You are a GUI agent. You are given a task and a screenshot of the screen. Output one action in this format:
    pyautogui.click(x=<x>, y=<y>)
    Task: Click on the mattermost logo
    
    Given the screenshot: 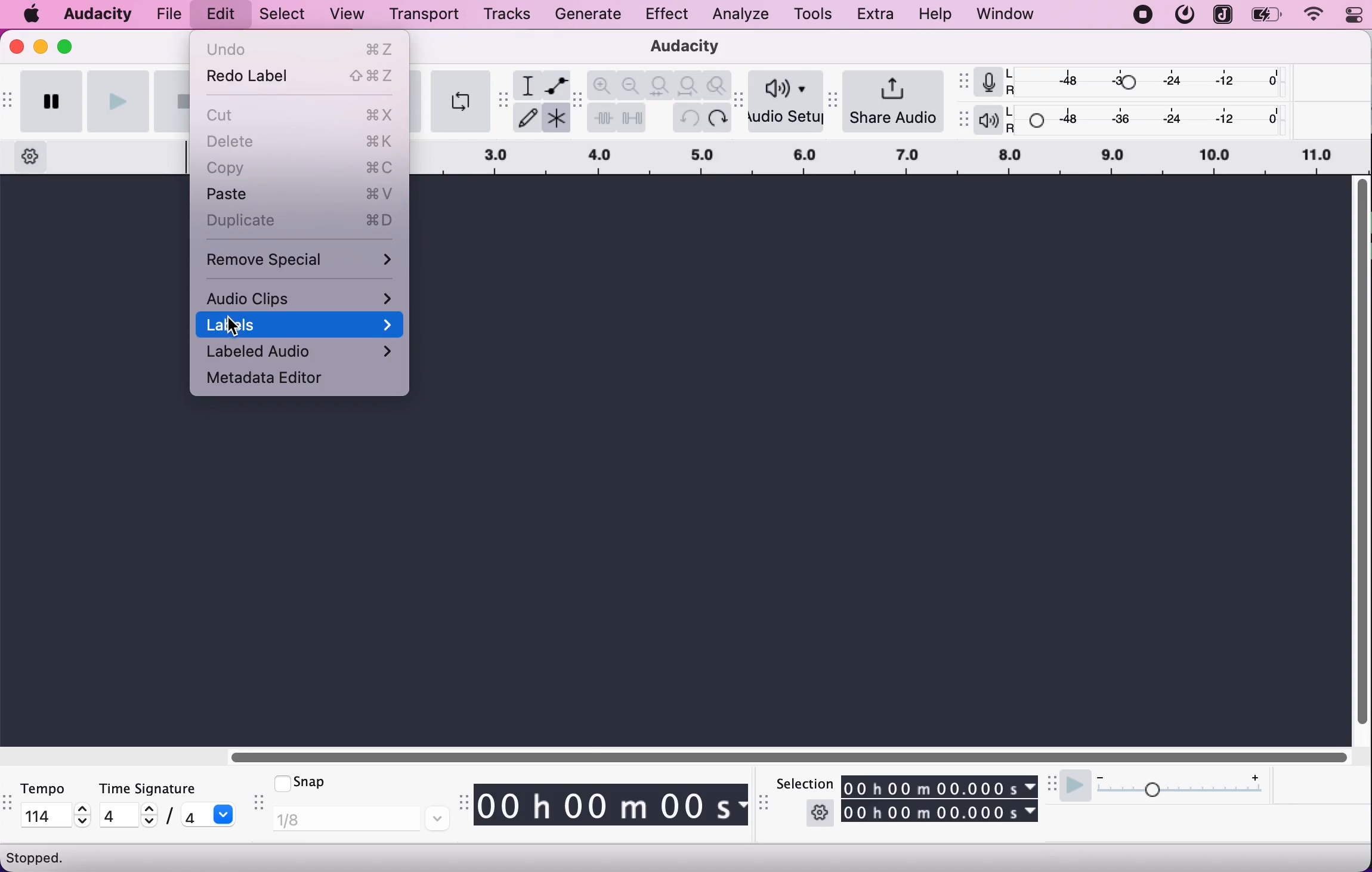 What is the action you would take?
    pyautogui.click(x=1183, y=15)
    